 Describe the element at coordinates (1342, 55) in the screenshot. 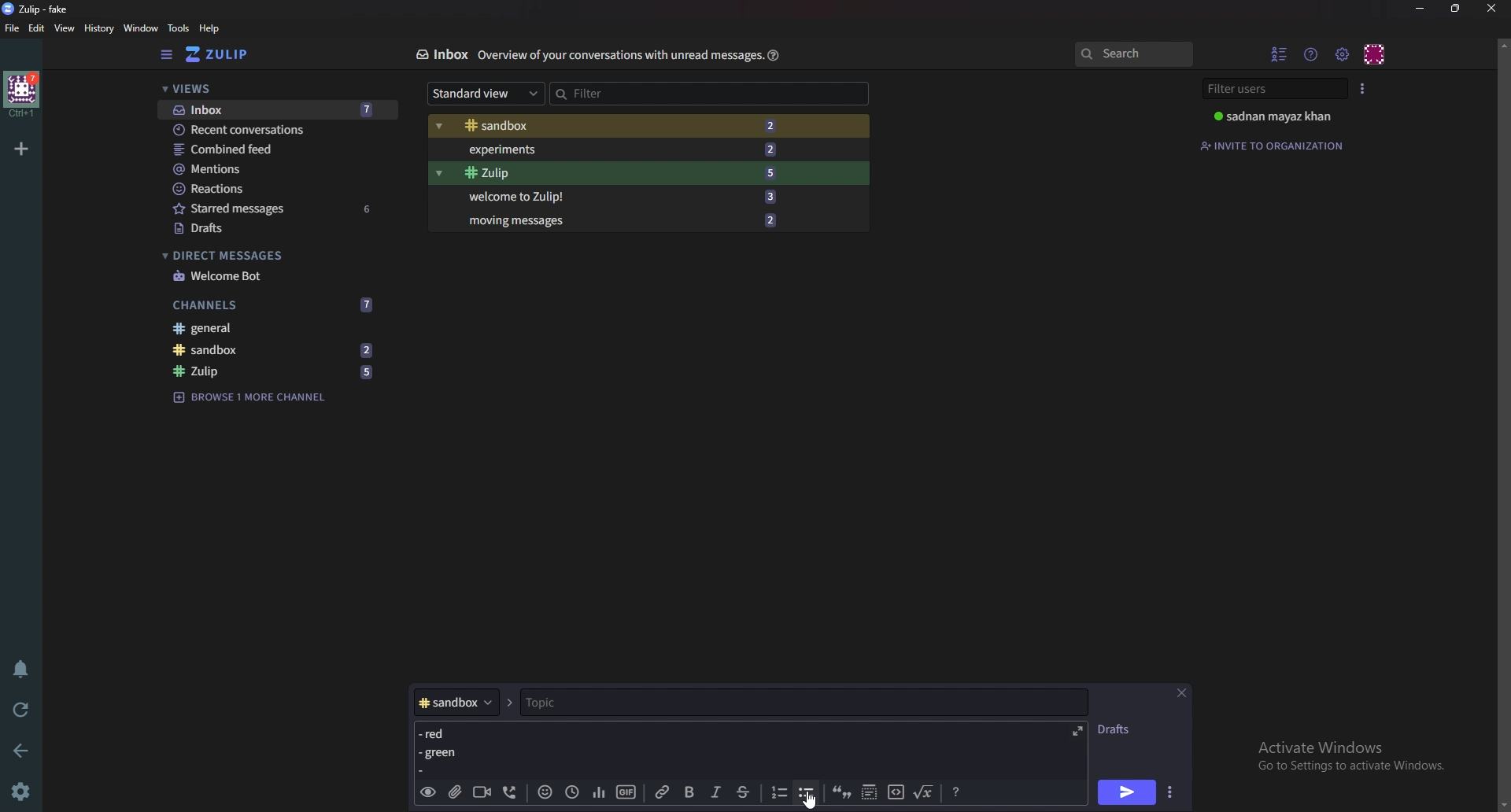

I see `Main menu` at that location.